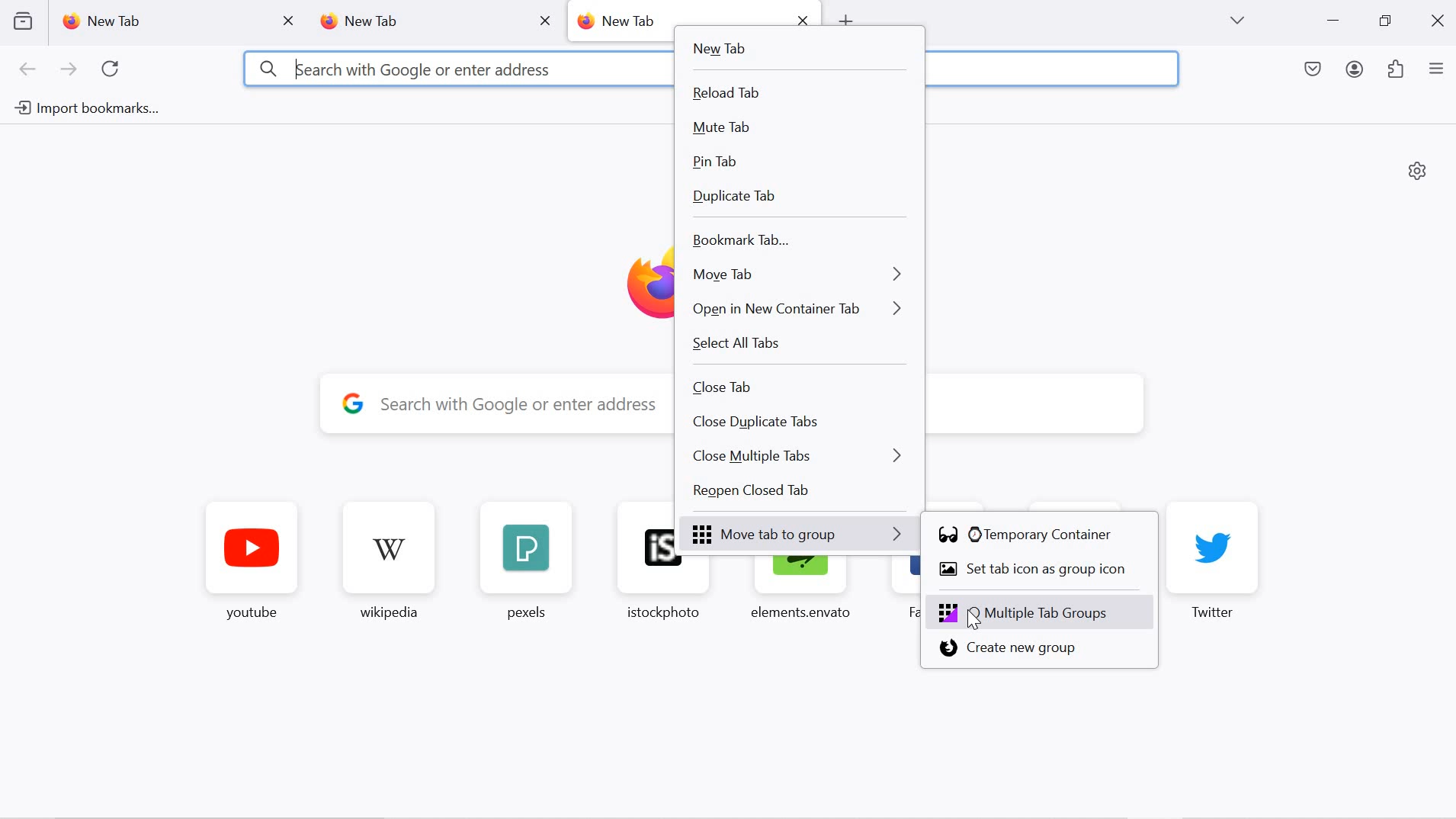 This screenshot has width=1456, height=819. Describe the element at coordinates (794, 201) in the screenshot. I see `duplicate tab` at that location.